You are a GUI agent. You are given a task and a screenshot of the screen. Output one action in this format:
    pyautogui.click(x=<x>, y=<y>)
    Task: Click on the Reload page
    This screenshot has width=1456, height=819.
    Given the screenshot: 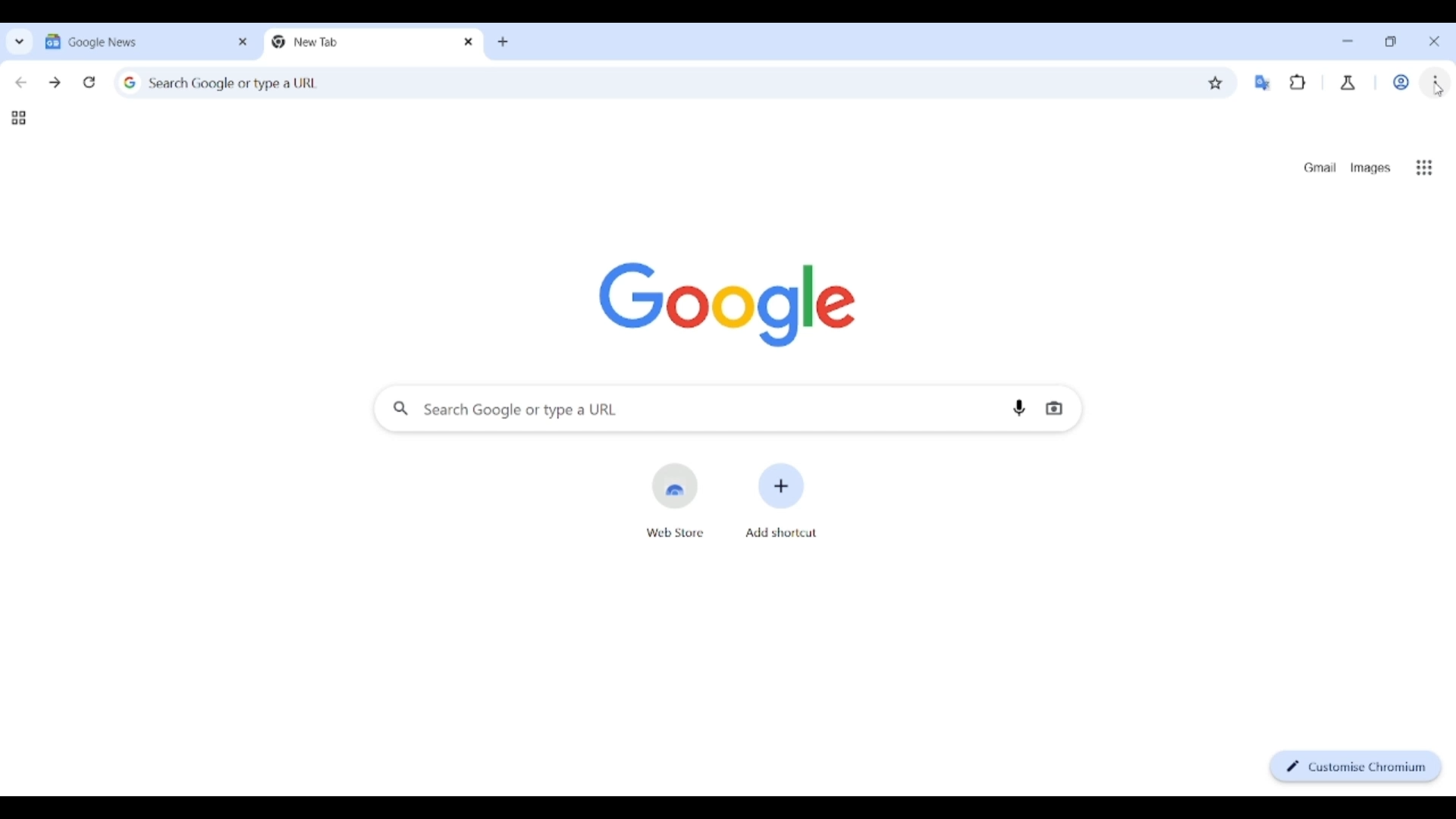 What is the action you would take?
    pyautogui.click(x=89, y=82)
    